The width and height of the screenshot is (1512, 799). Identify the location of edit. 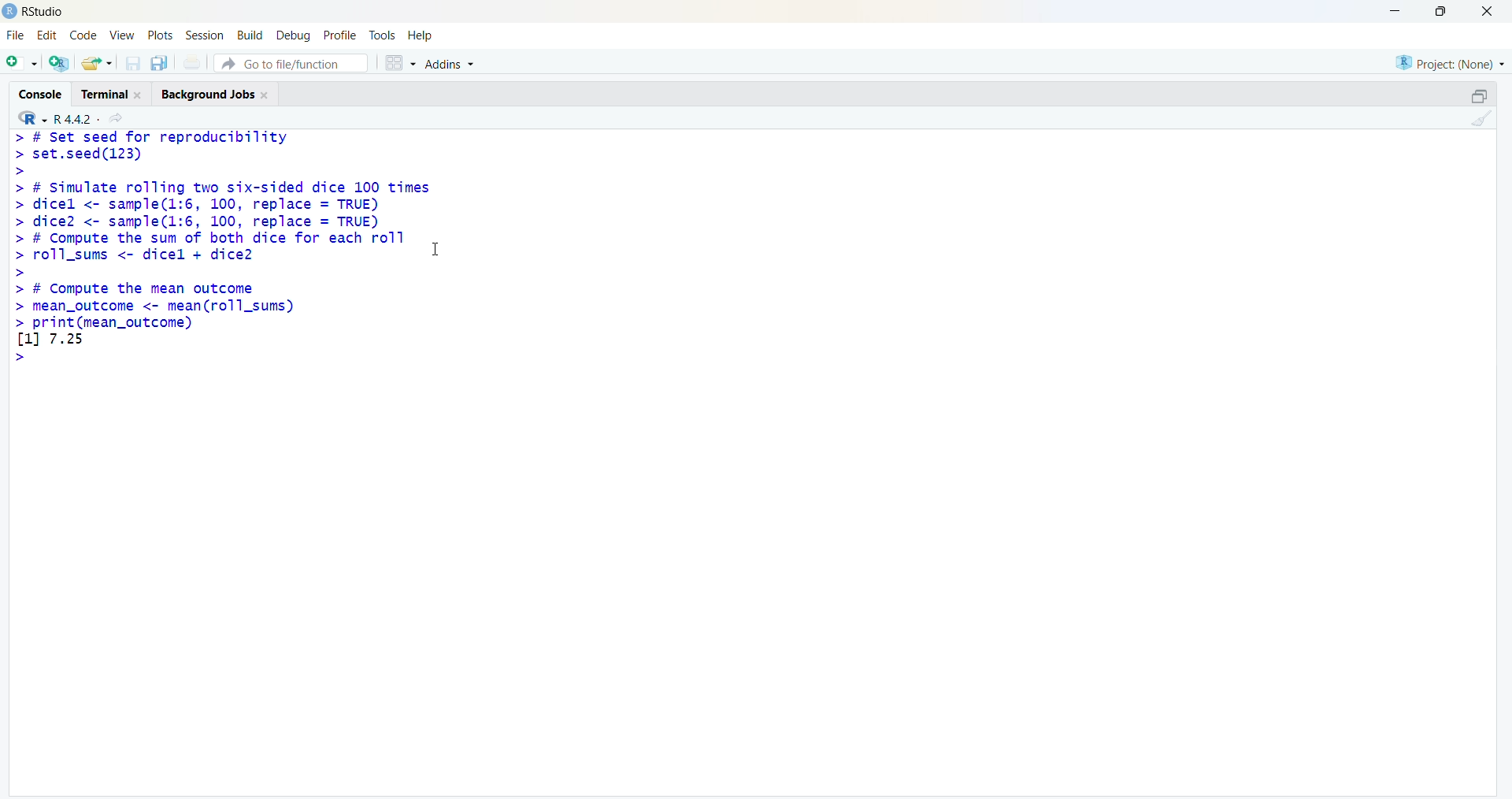
(47, 35).